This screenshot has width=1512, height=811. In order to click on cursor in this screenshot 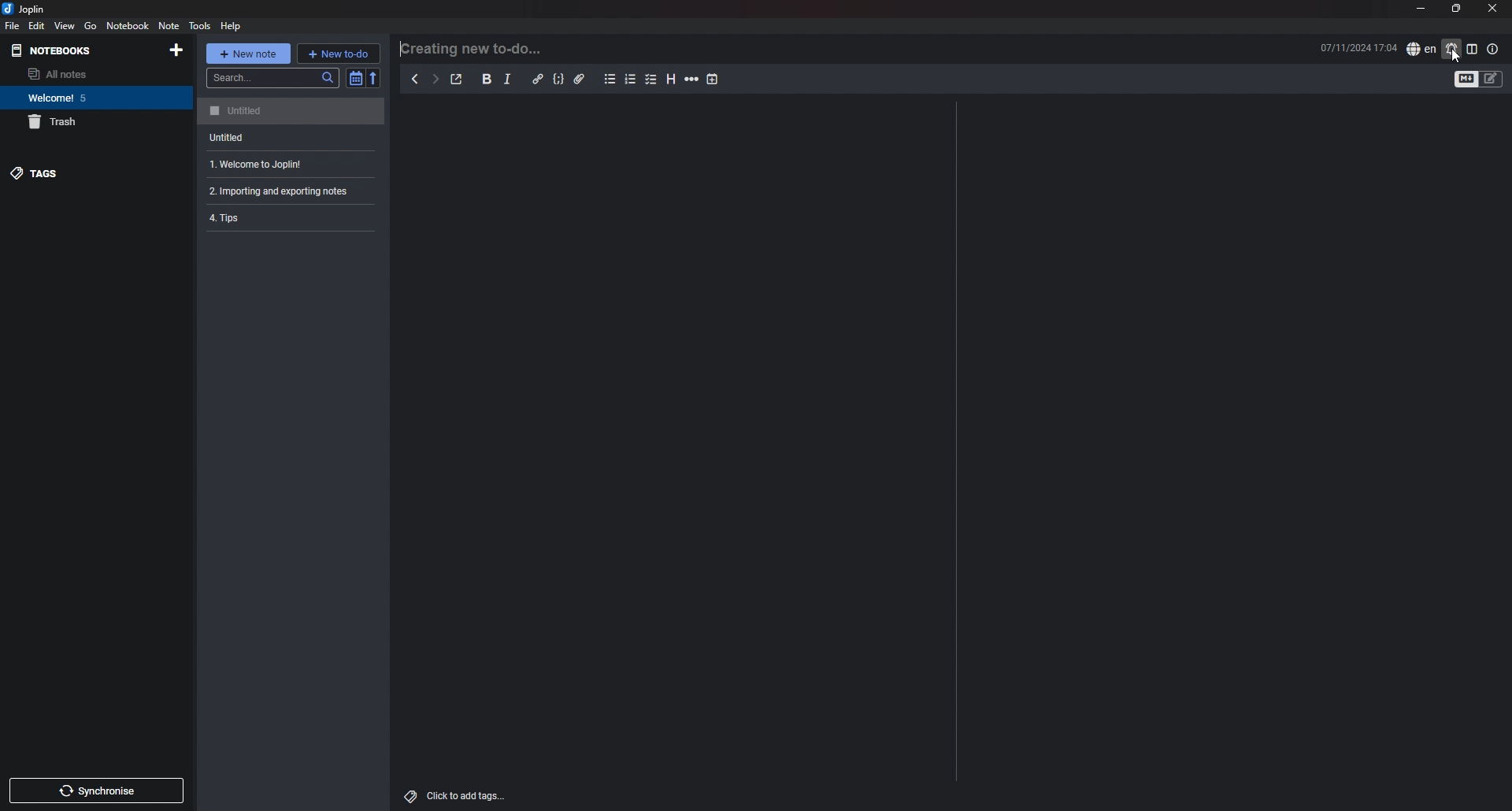, I will do `click(1455, 57)`.